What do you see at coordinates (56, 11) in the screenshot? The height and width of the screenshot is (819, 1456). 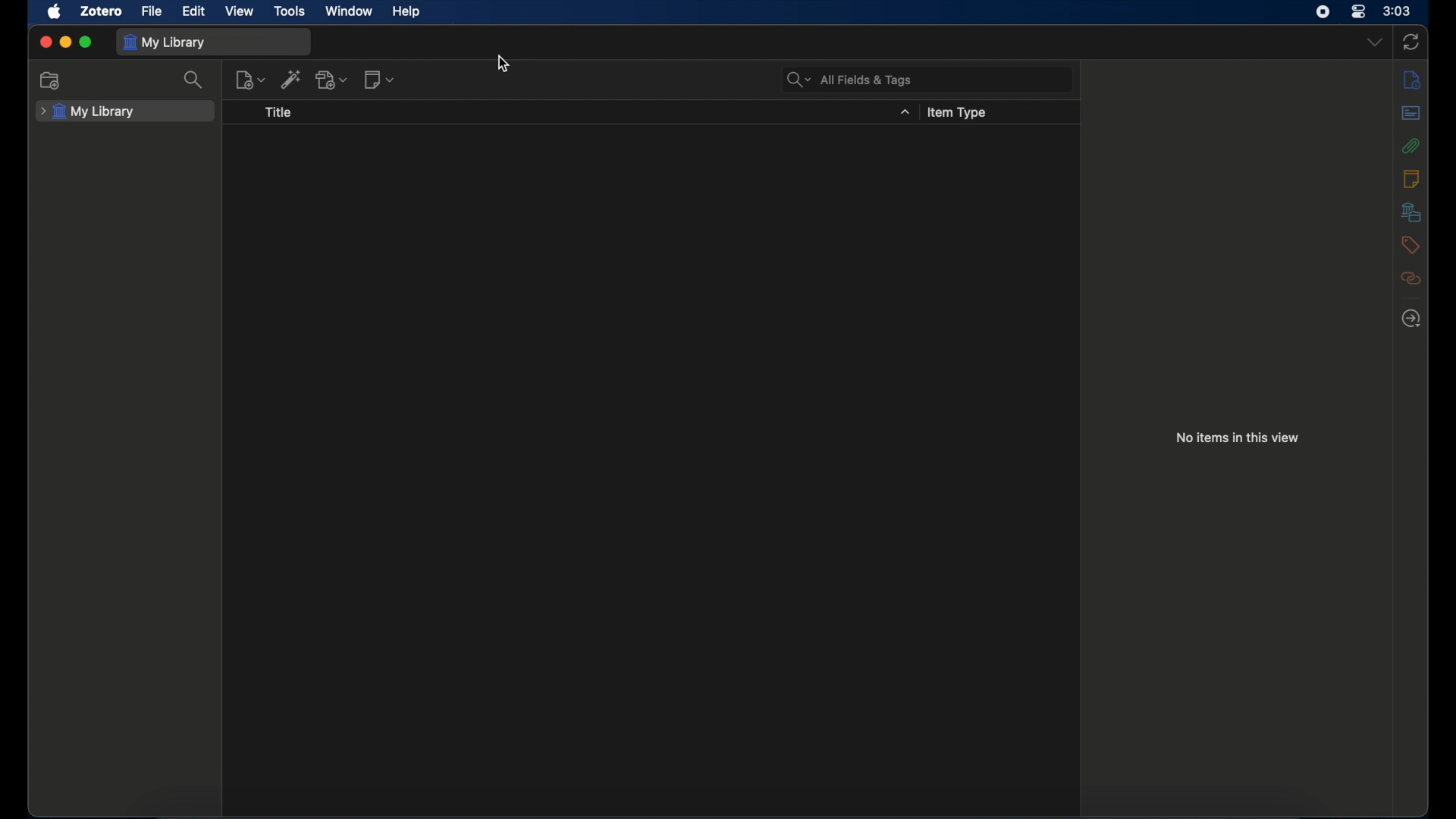 I see `apple icon` at bounding box center [56, 11].